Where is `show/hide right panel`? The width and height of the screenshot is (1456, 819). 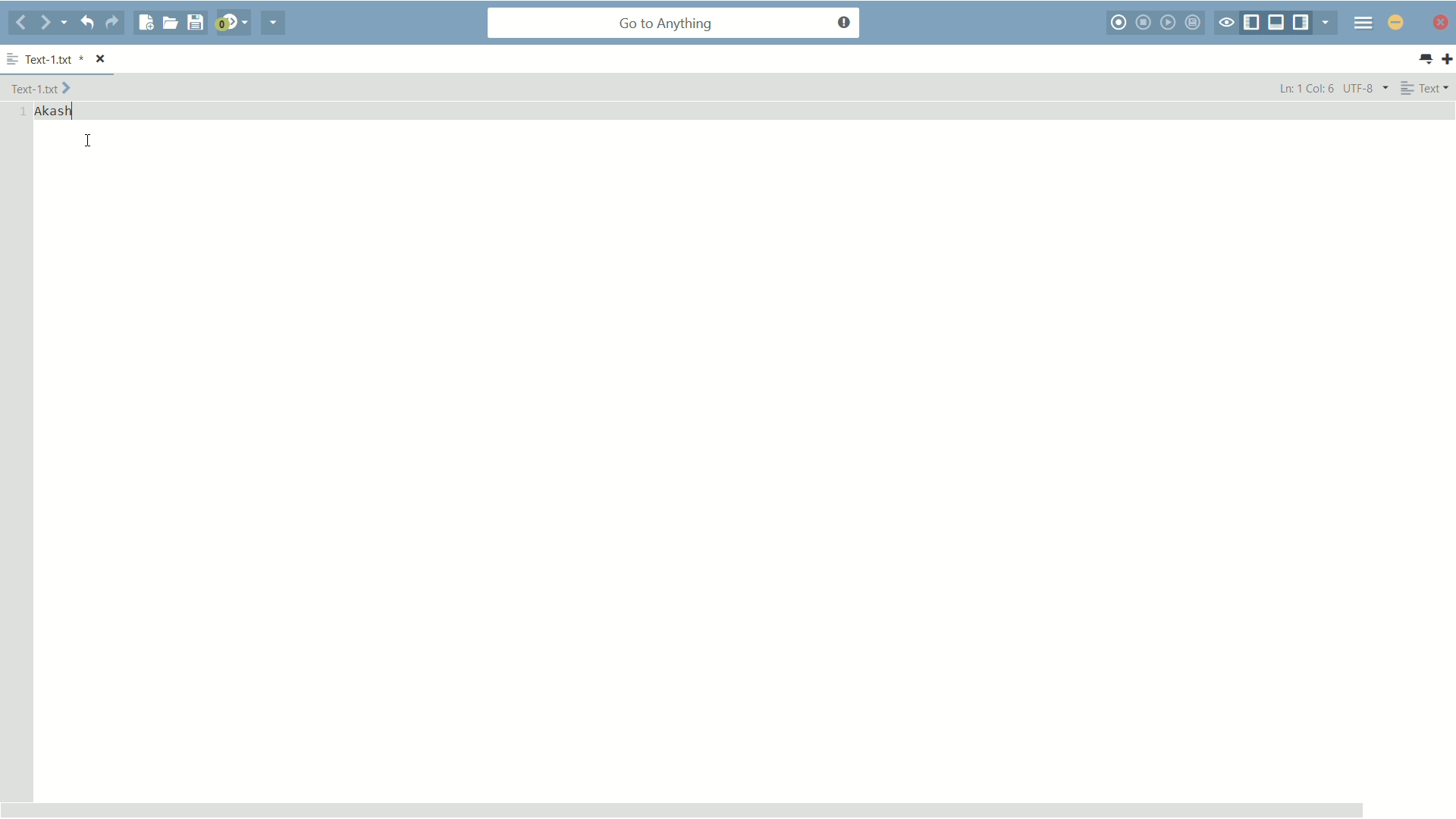 show/hide right panel is located at coordinates (1301, 23).